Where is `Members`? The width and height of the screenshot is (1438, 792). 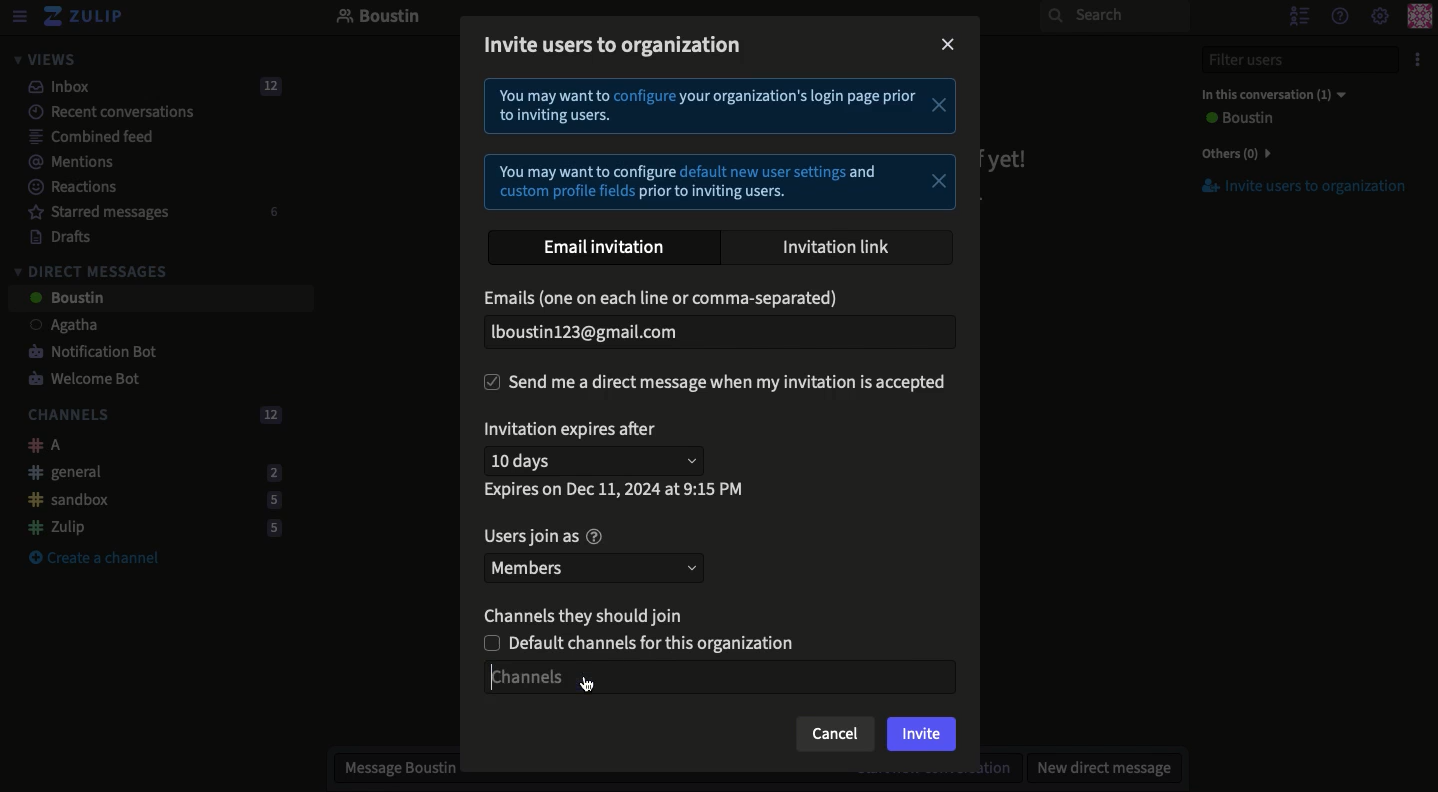
Members is located at coordinates (598, 566).